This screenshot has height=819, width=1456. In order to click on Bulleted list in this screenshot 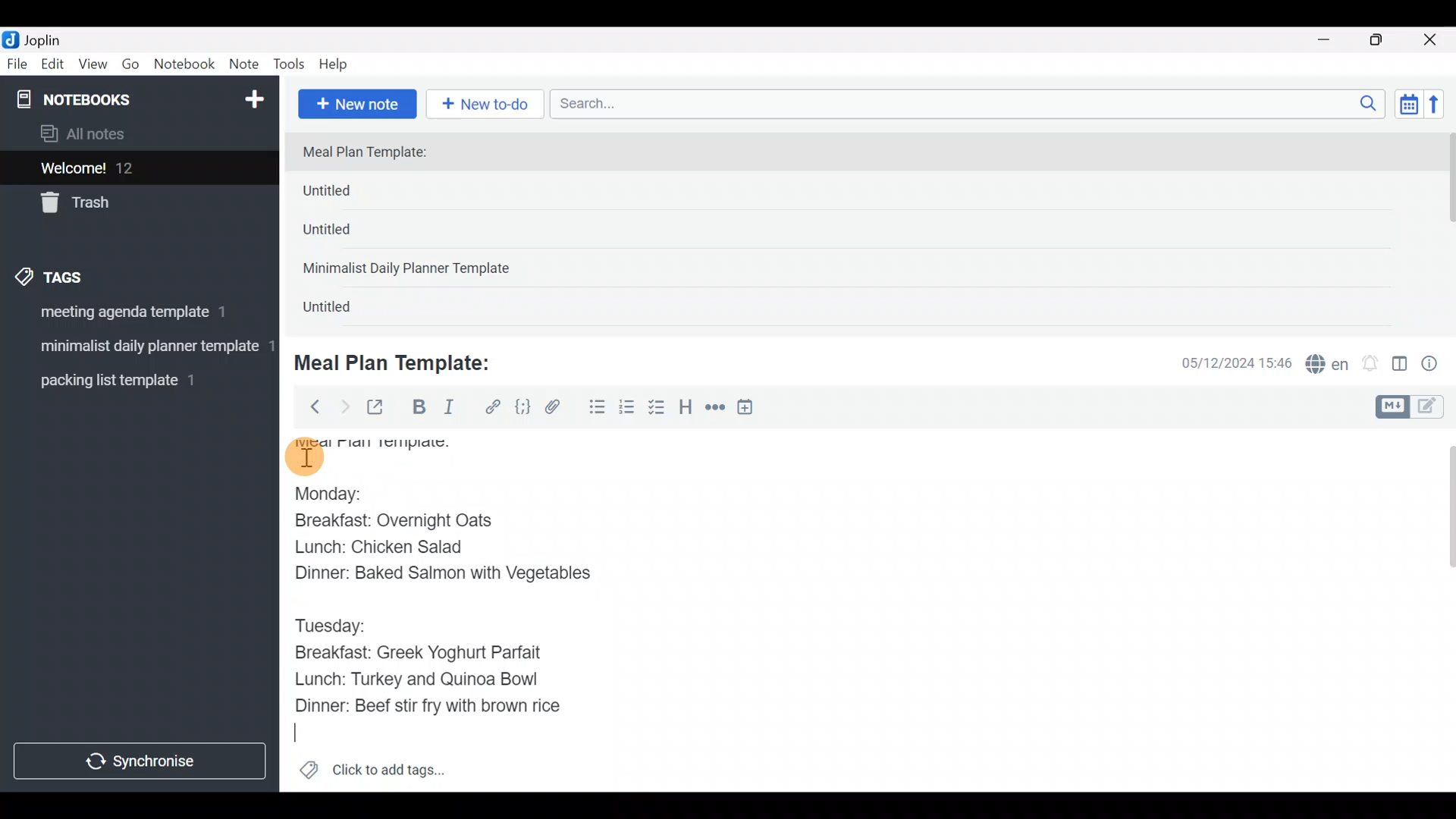, I will do `click(594, 408)`.